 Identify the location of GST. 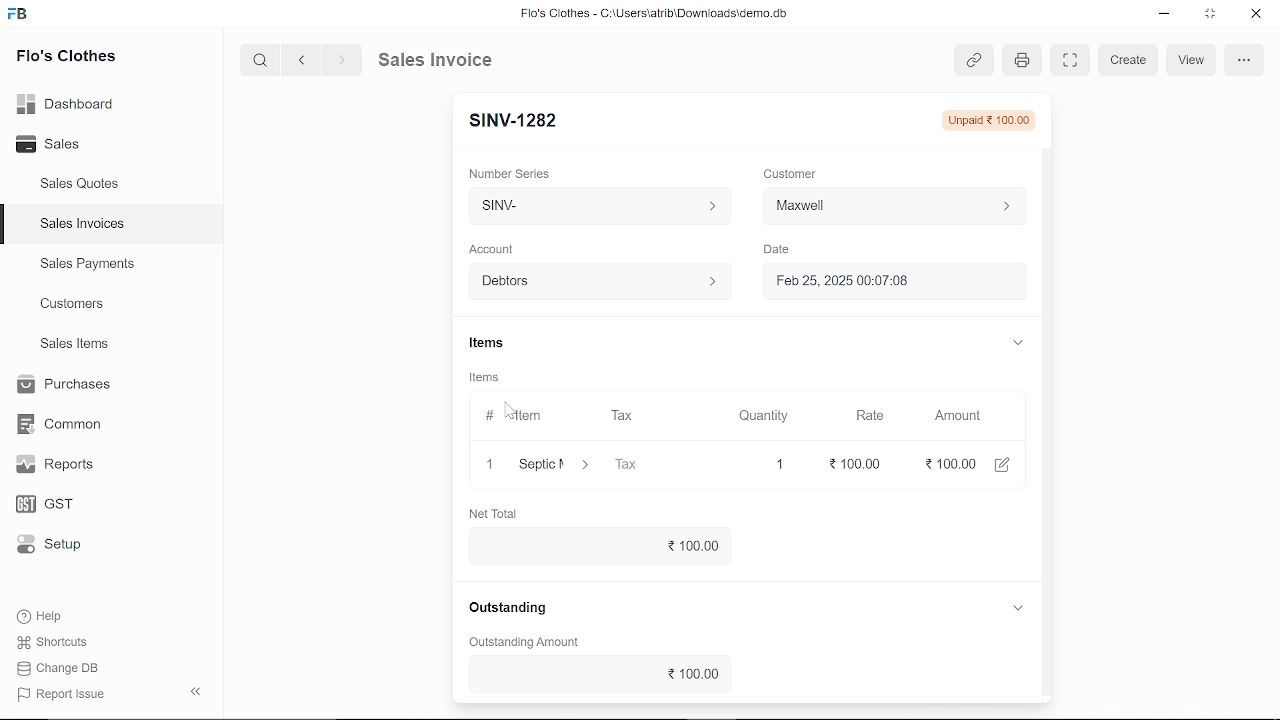
(55, 501).